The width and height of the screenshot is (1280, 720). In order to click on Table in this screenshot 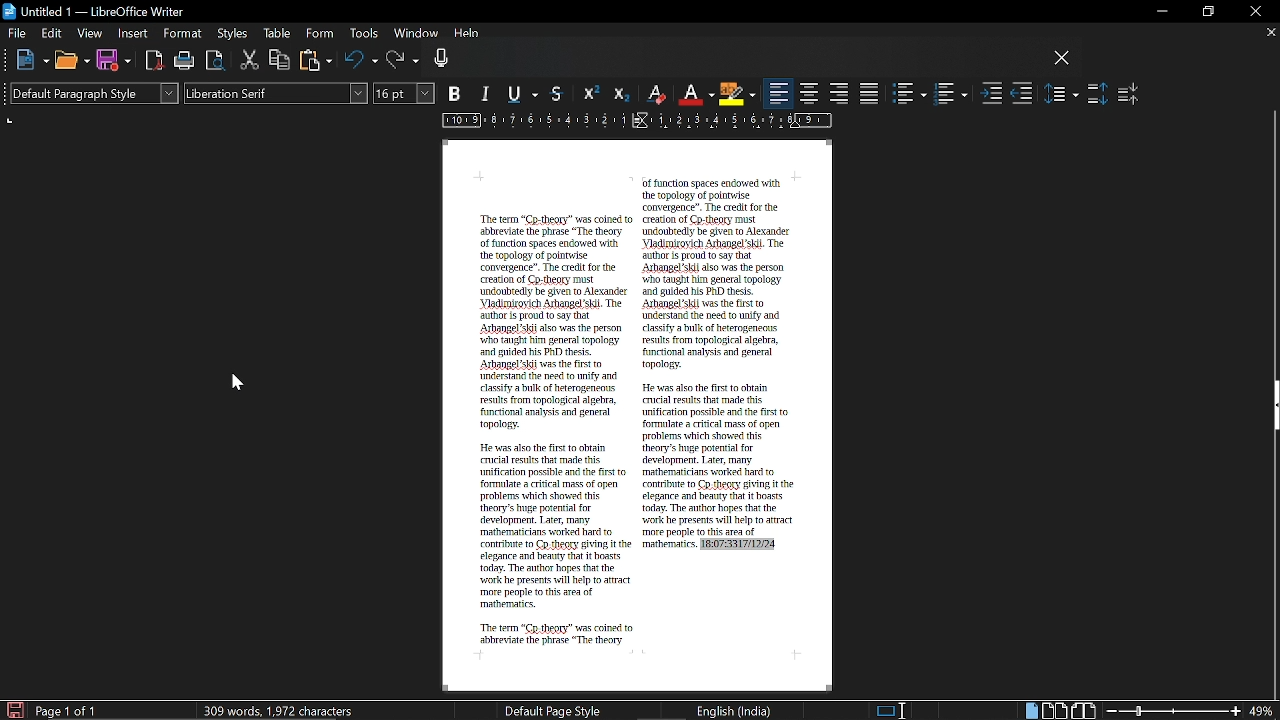, I will do `click(277, 35)`.